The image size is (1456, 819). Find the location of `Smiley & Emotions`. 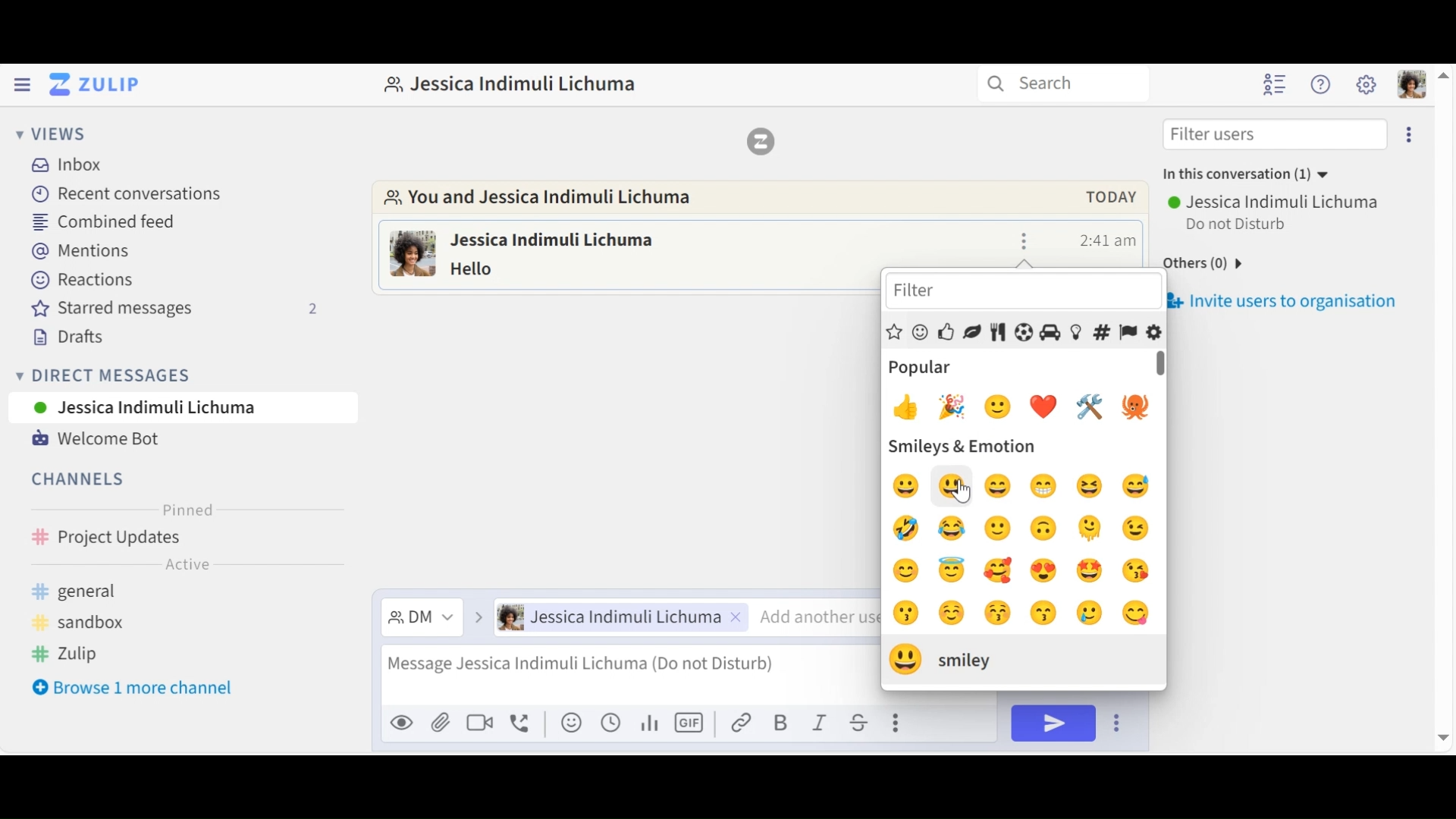

Smiley & Emotions is located at coordinates (962, 446).